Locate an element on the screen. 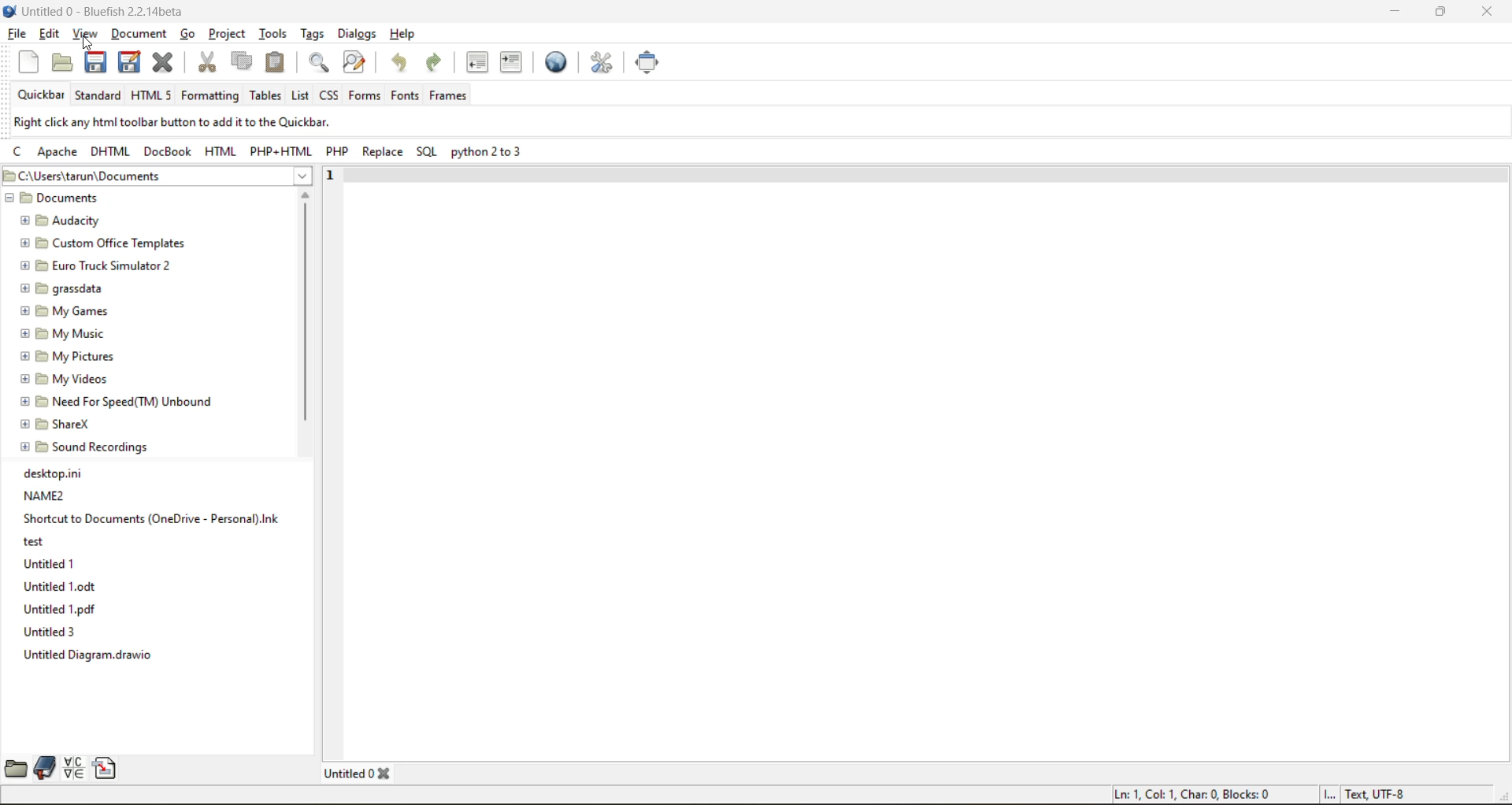  ory is located at coordinates (37, 539).